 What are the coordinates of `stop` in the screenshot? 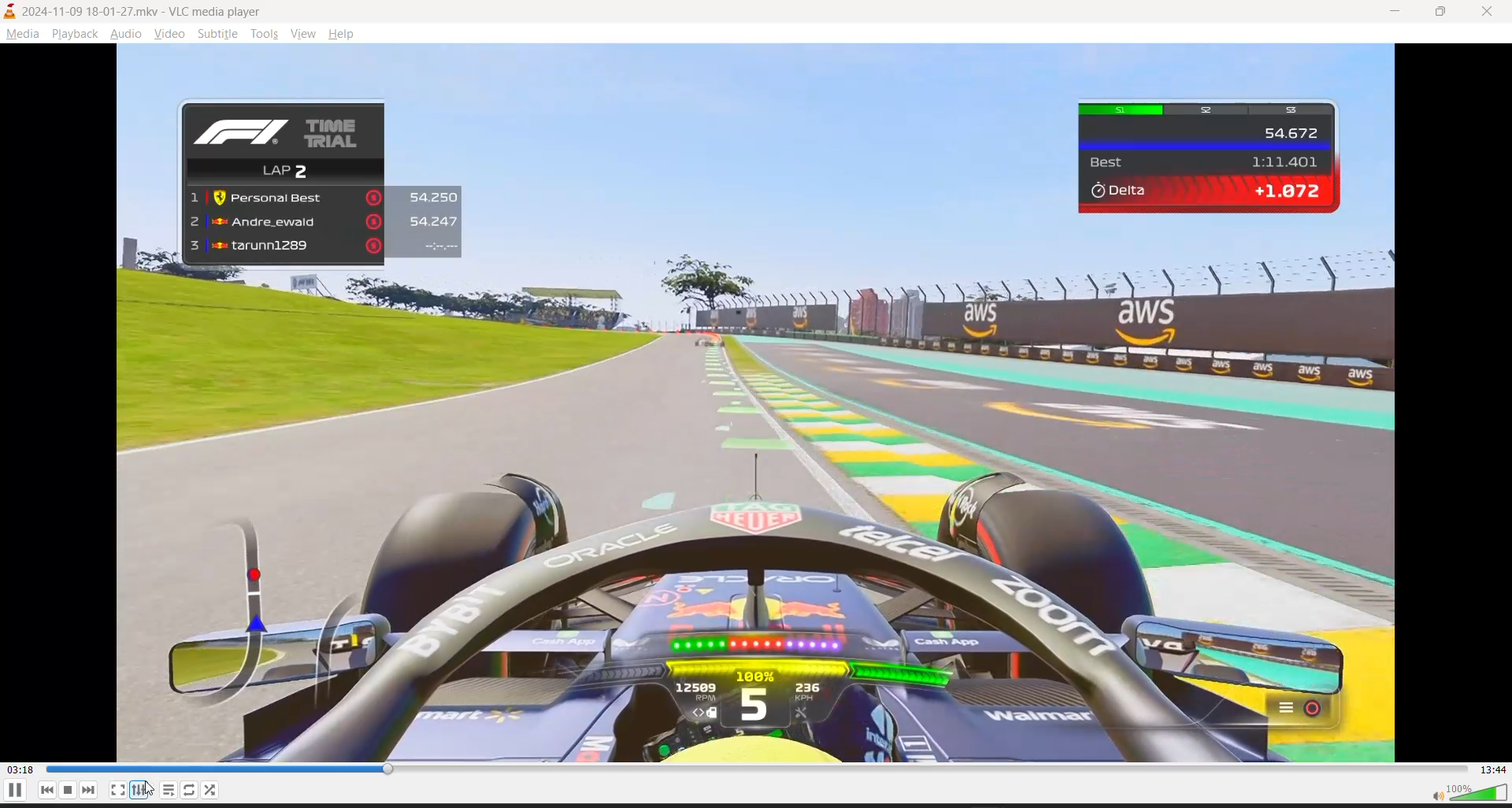 It's located at (69, 790).